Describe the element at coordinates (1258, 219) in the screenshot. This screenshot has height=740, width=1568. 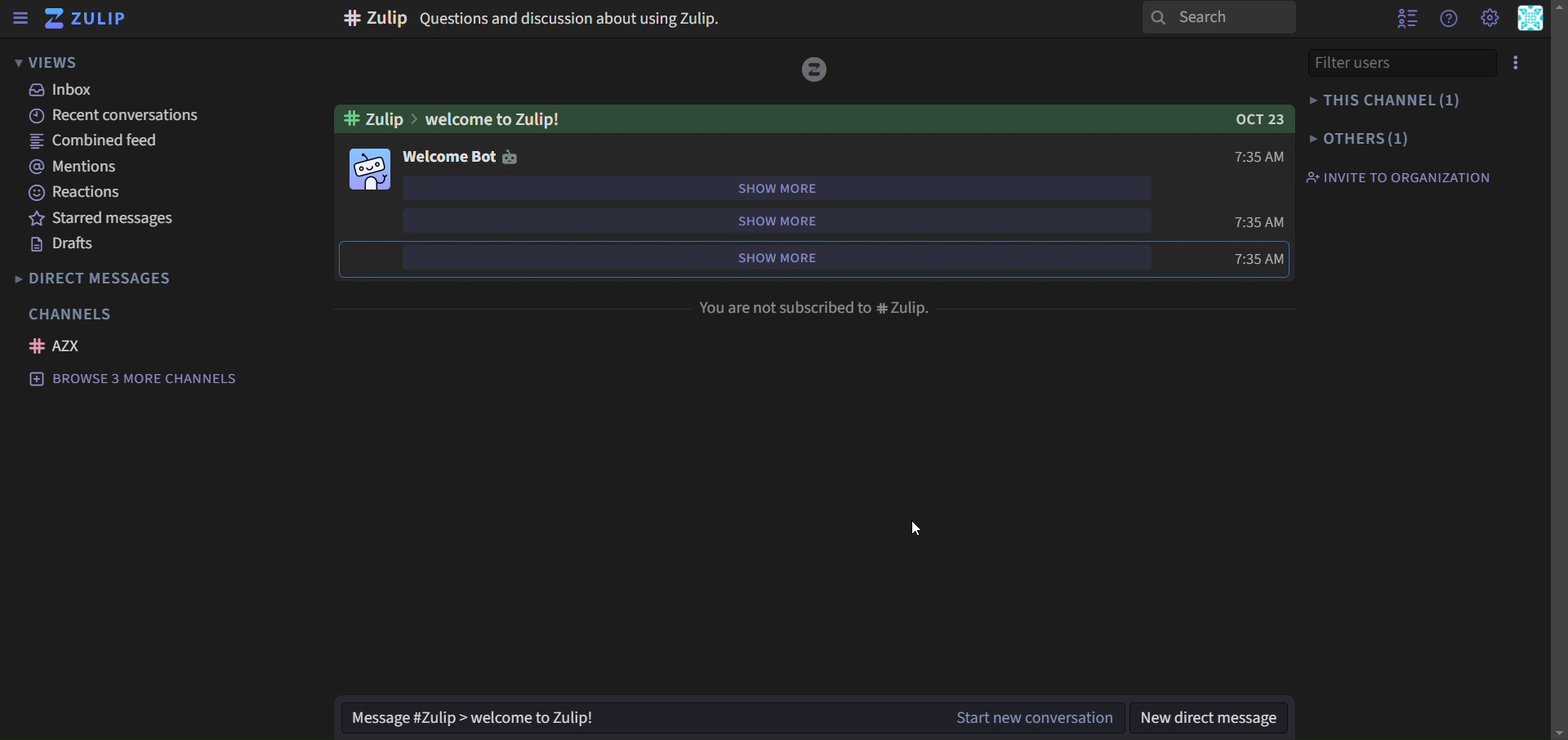
I see `7:35am` at that location.